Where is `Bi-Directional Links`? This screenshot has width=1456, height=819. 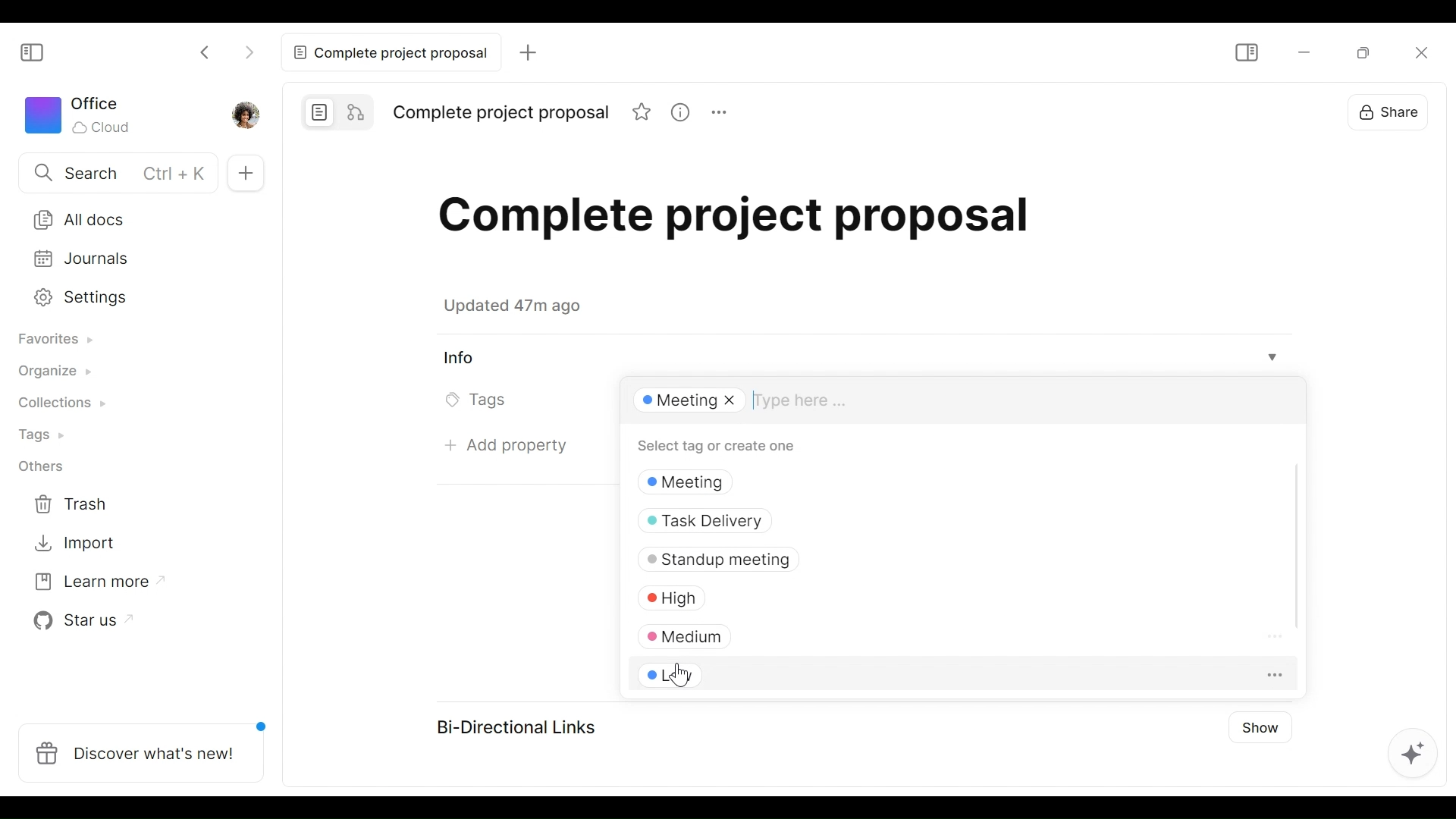 Bi-Directional Links is located at coordinates (522, 725).